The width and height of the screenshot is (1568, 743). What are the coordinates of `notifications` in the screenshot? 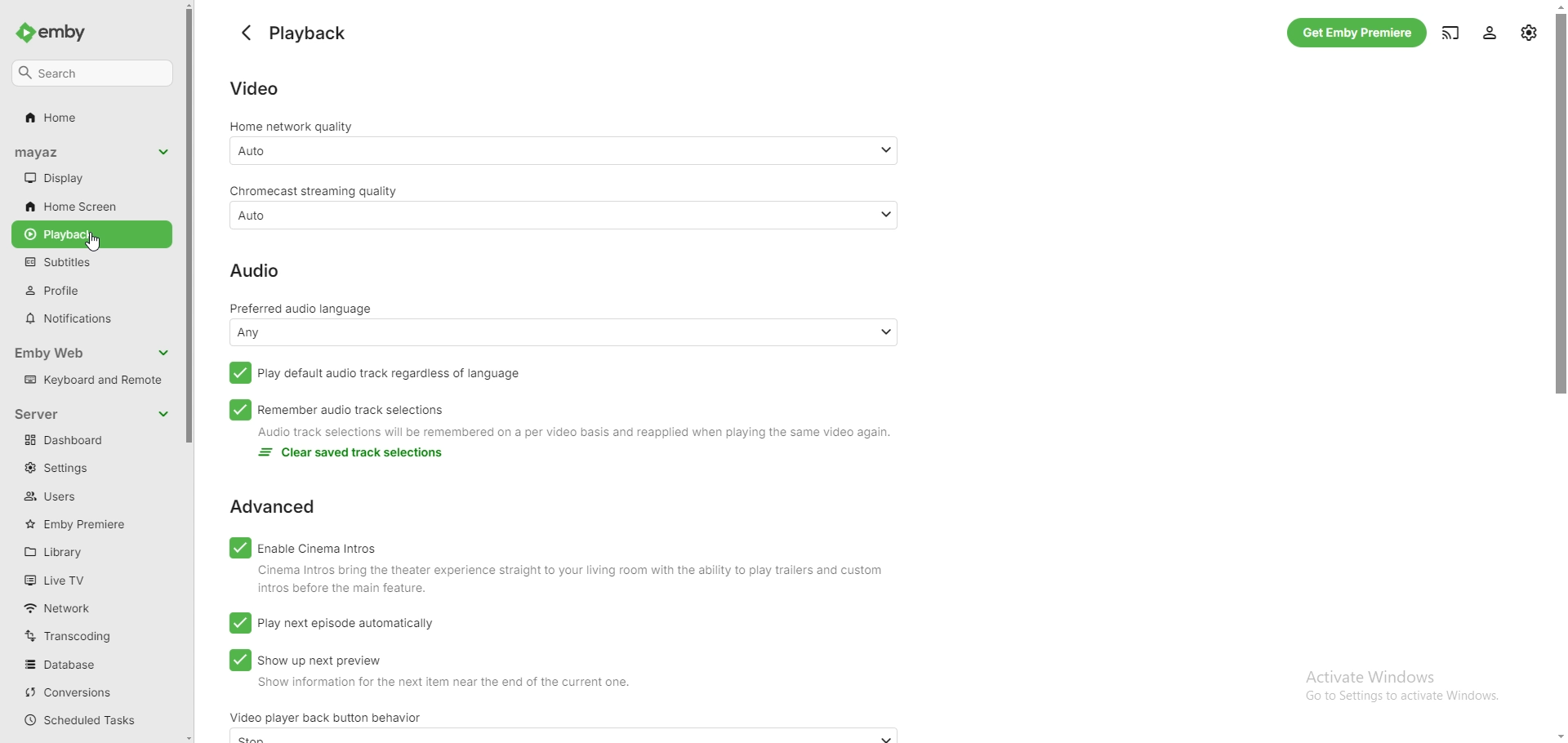 It's located at (89, 318).